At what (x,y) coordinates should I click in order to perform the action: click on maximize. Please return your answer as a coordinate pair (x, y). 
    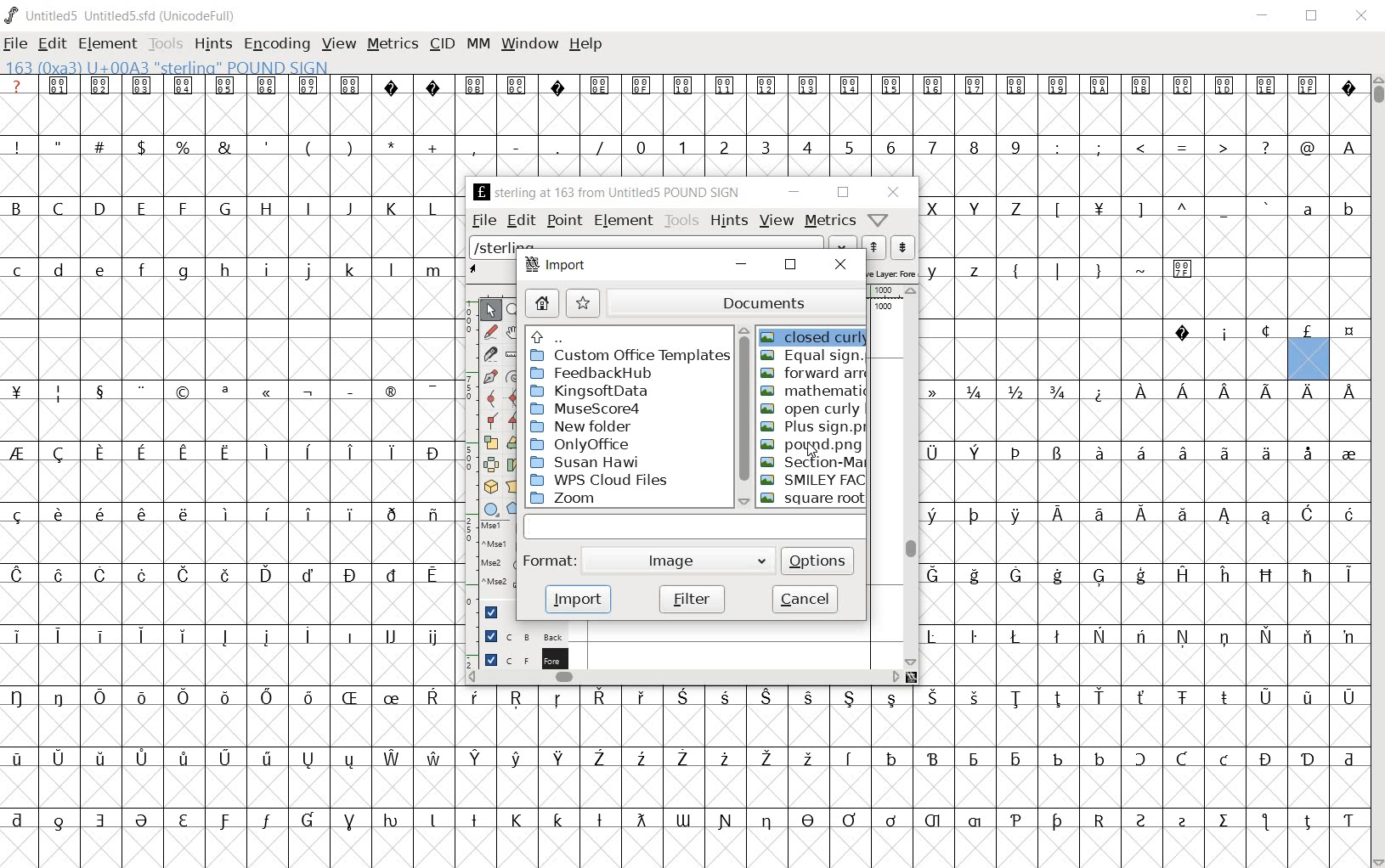
    Looking at the image, I should click on (843, 193).